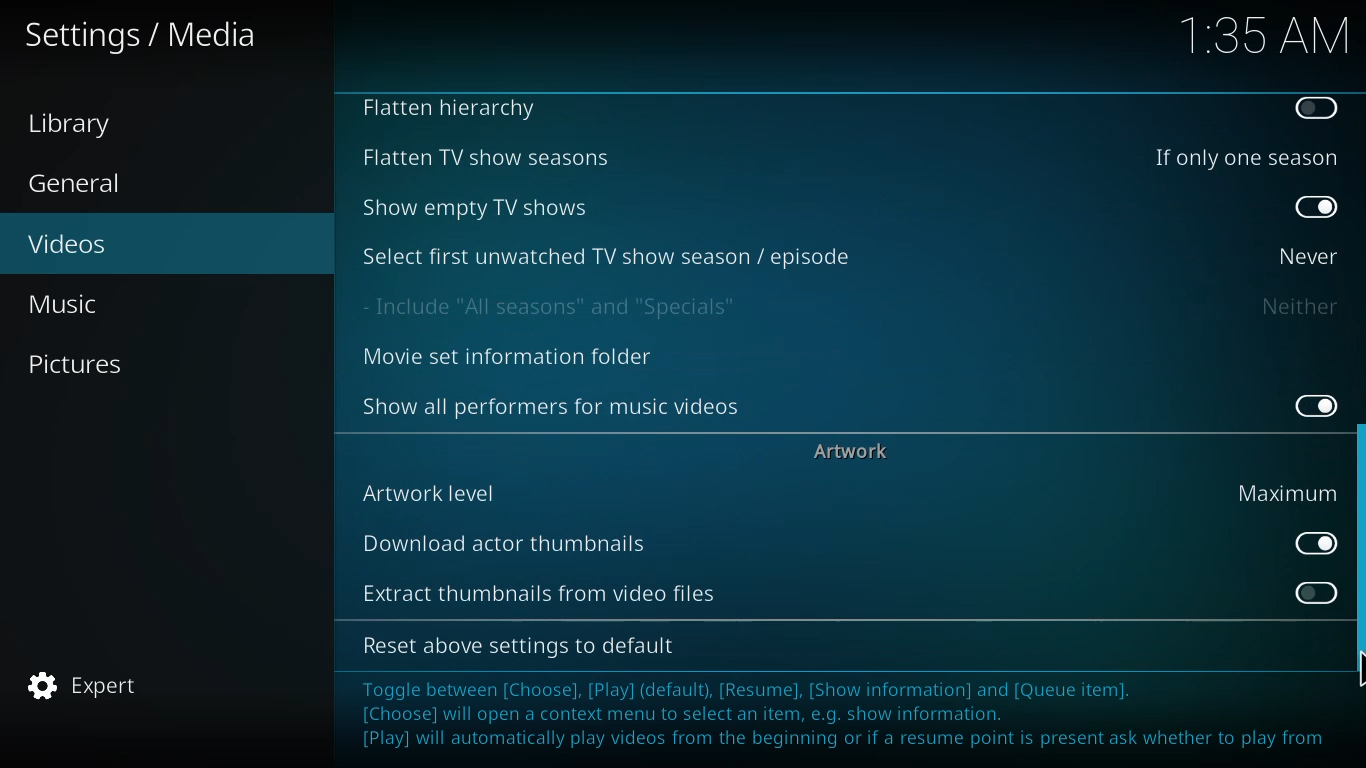 This screenshot has height=768, width=1366. What do you see at coordinates (845, 717) in the screenshot?
I see `imfo` at bounding box center [845, 717].